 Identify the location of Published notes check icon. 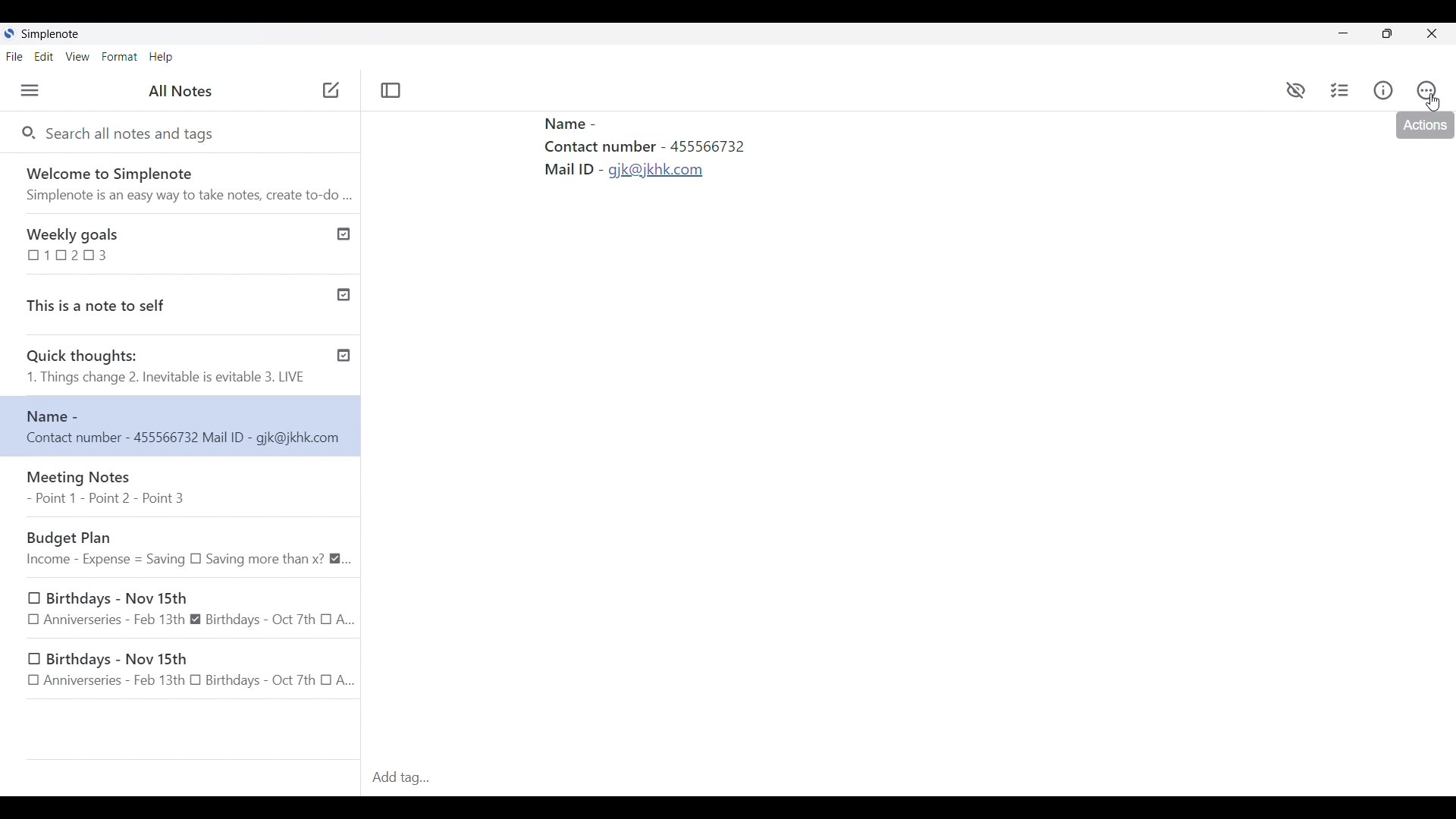
(344, 292).